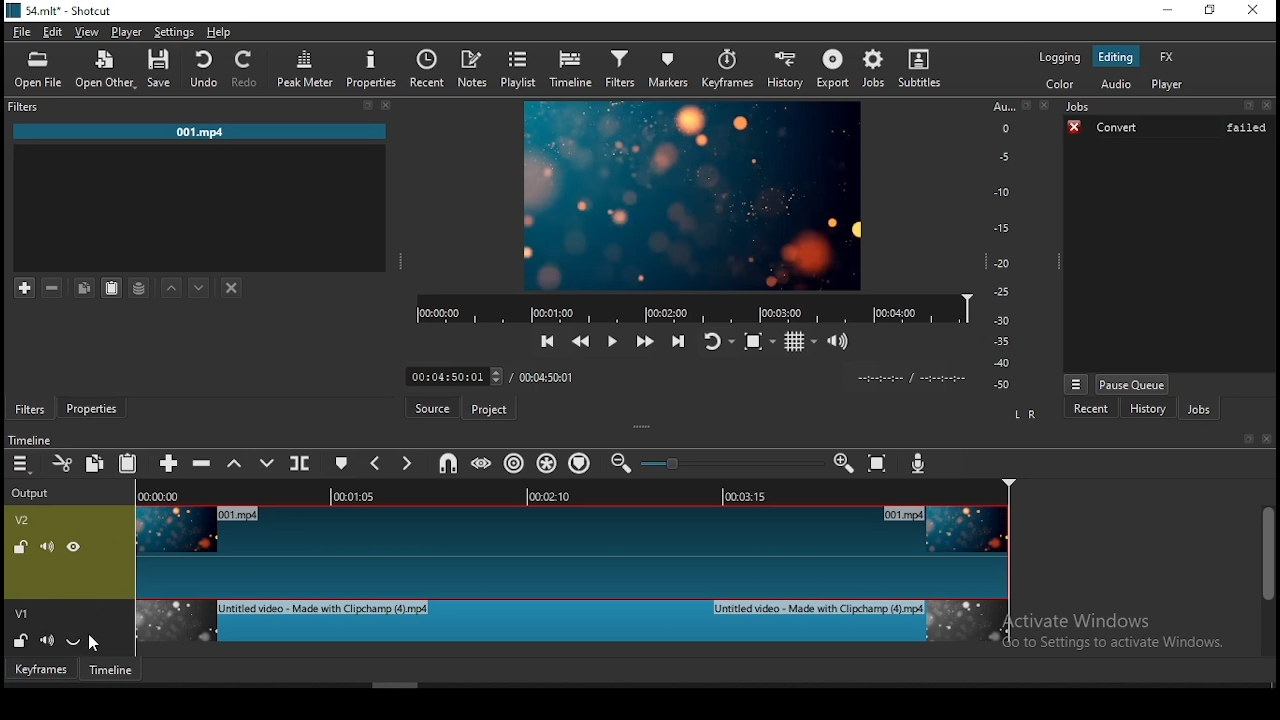  What do you see at coordinates (201, 106) in the screenshot?
I see `FITER` at bounding box center [201, 106].